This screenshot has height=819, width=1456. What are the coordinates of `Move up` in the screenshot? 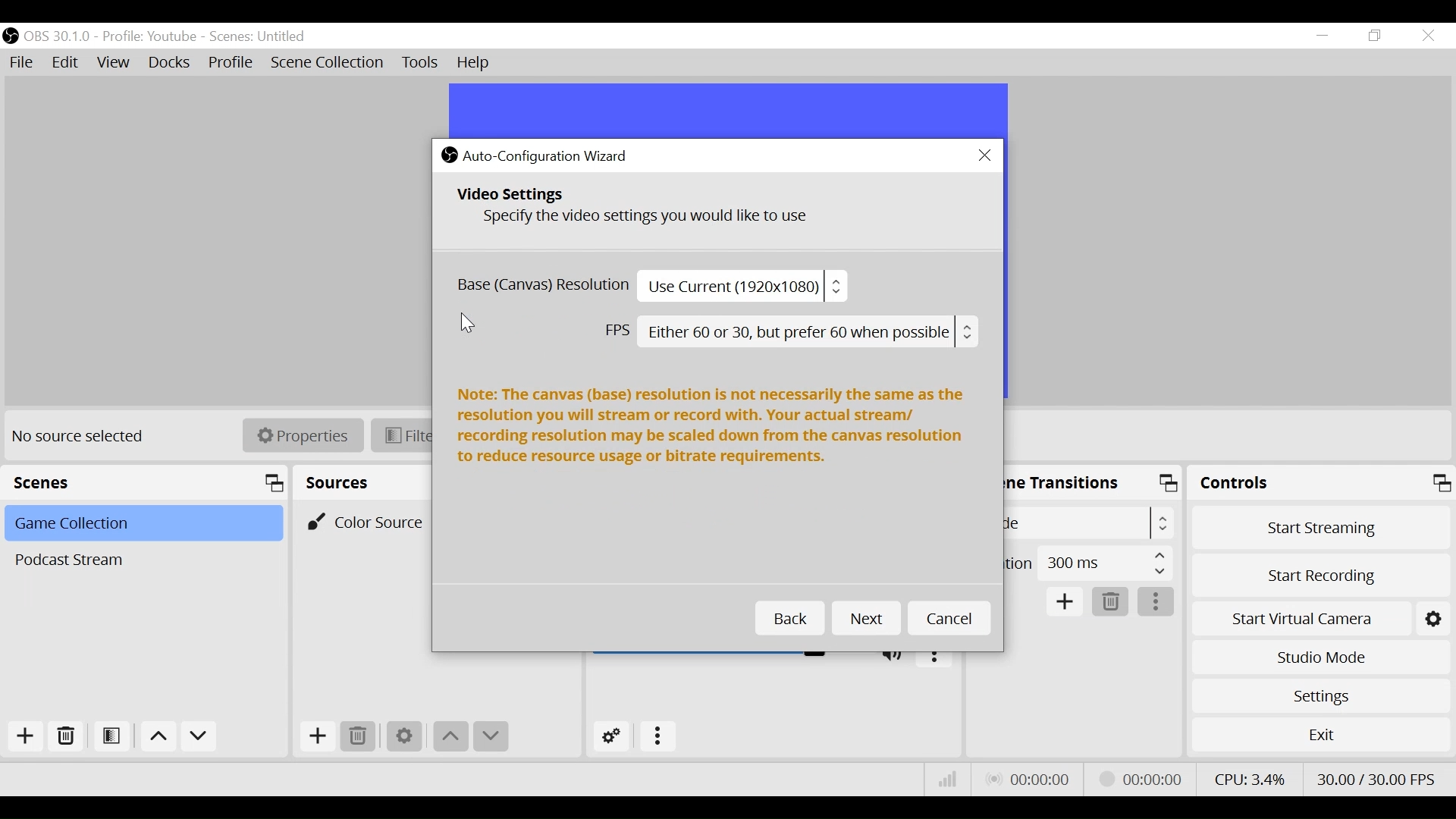 It's located at (156, 736).